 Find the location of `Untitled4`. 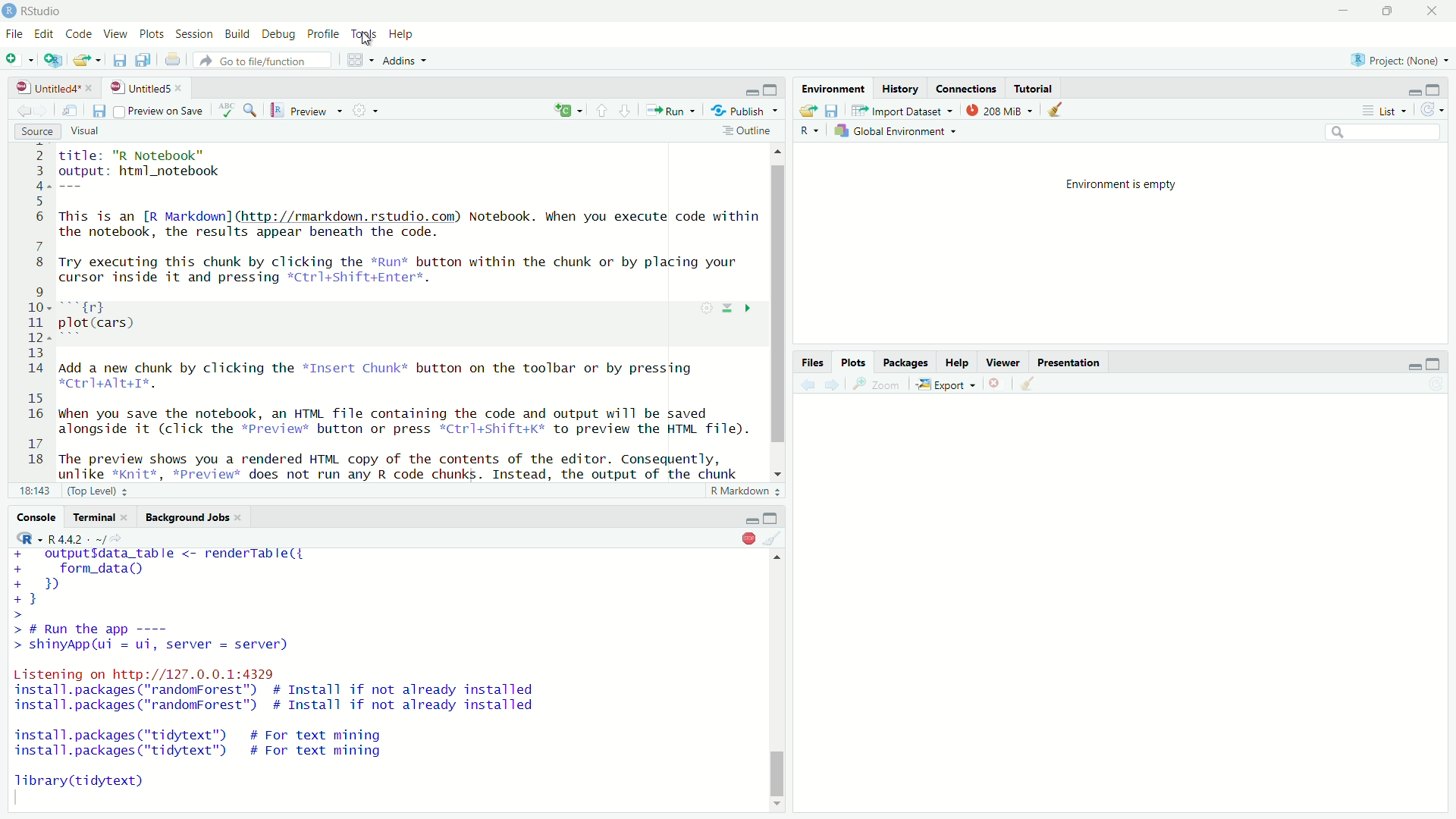

Untitled4 is located at coordinates (43, 88).